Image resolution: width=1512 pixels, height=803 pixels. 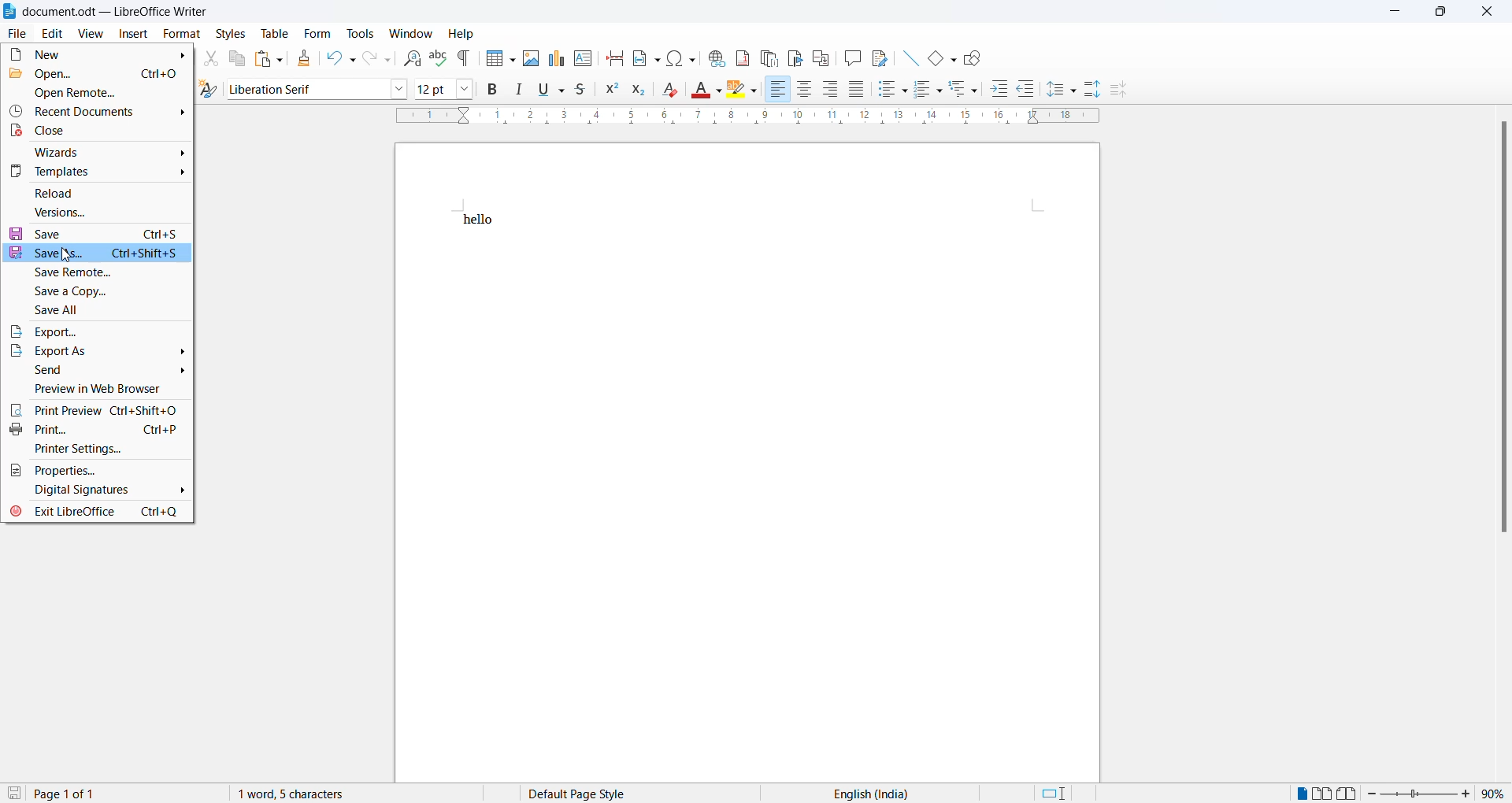 I want to click on New, so click(x=97, y=54).